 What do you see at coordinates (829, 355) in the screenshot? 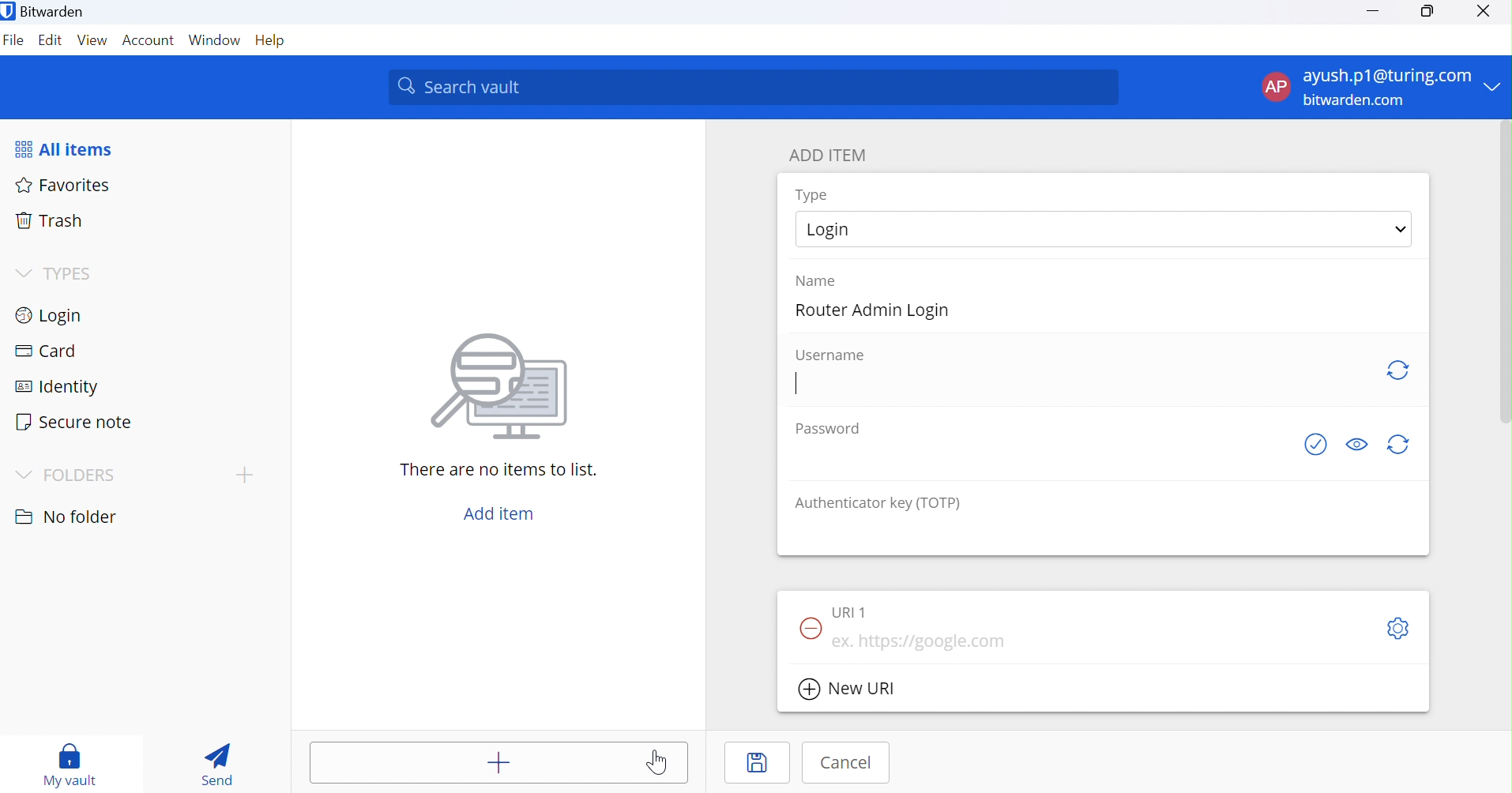
I see `Username` at bounding box center [829, 355].